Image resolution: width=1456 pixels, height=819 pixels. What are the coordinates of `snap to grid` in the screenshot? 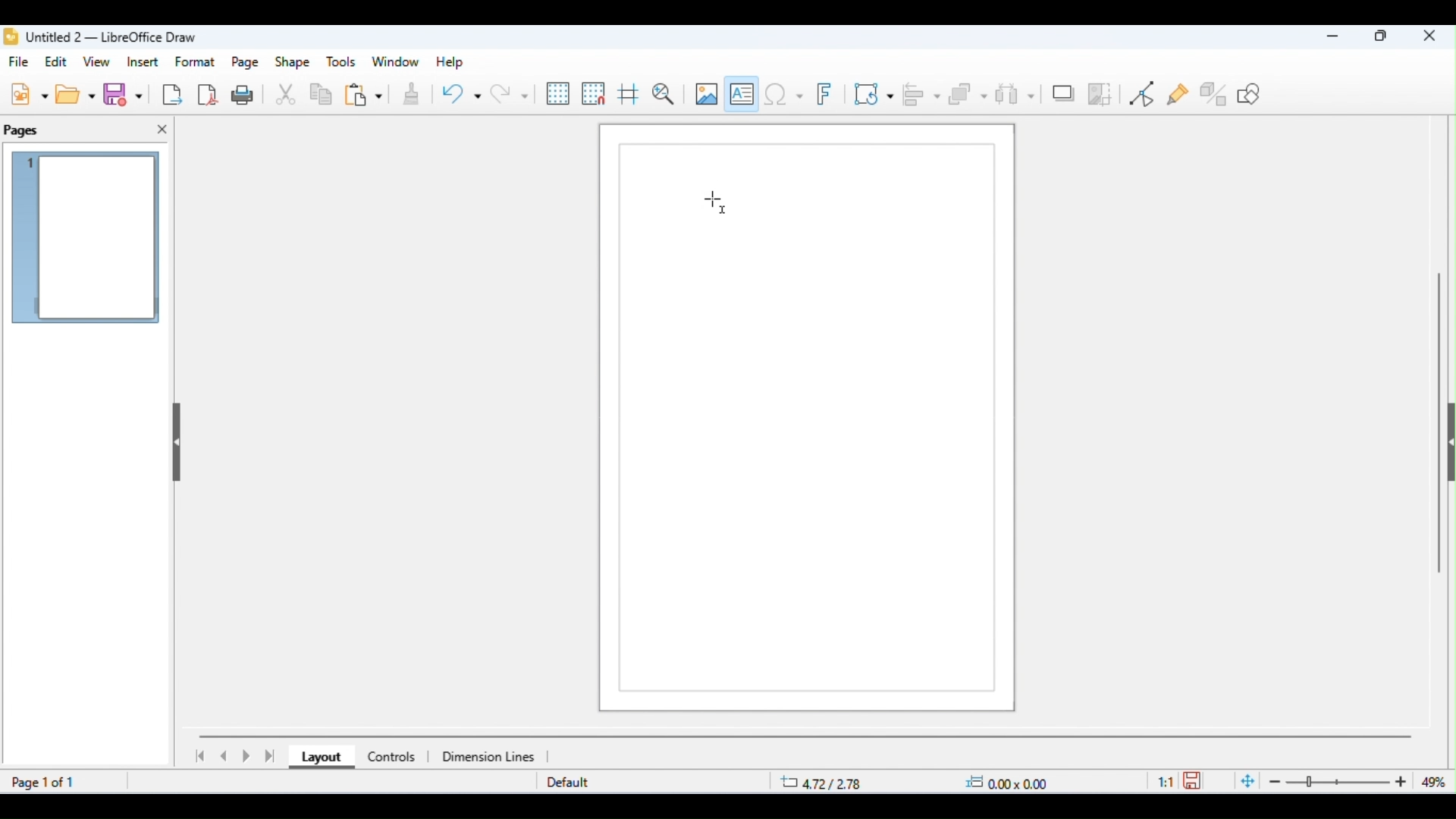 It's located at (595, 93).